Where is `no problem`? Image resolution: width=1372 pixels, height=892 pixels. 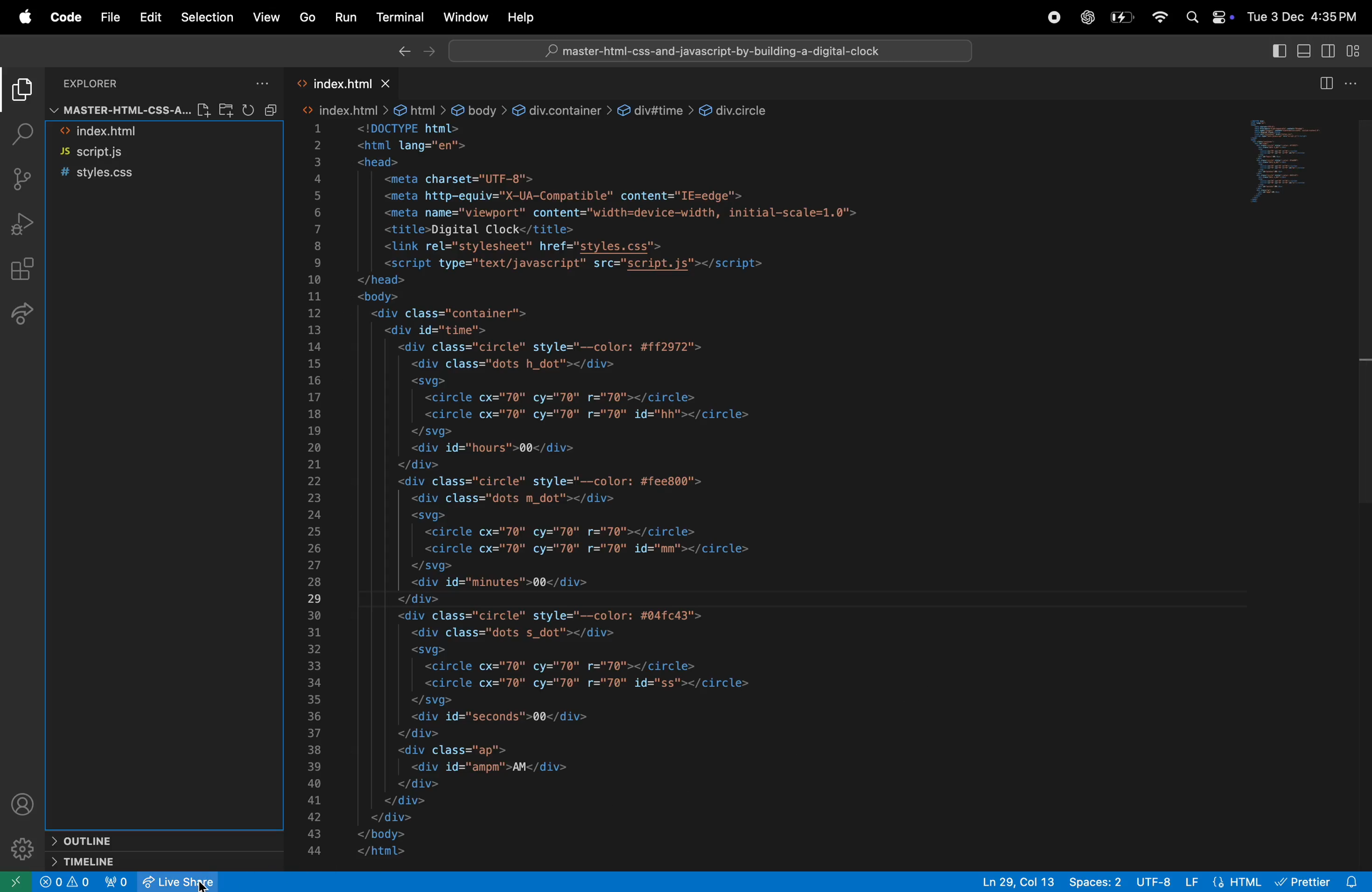
no problem is located at coordinates (65, 882).